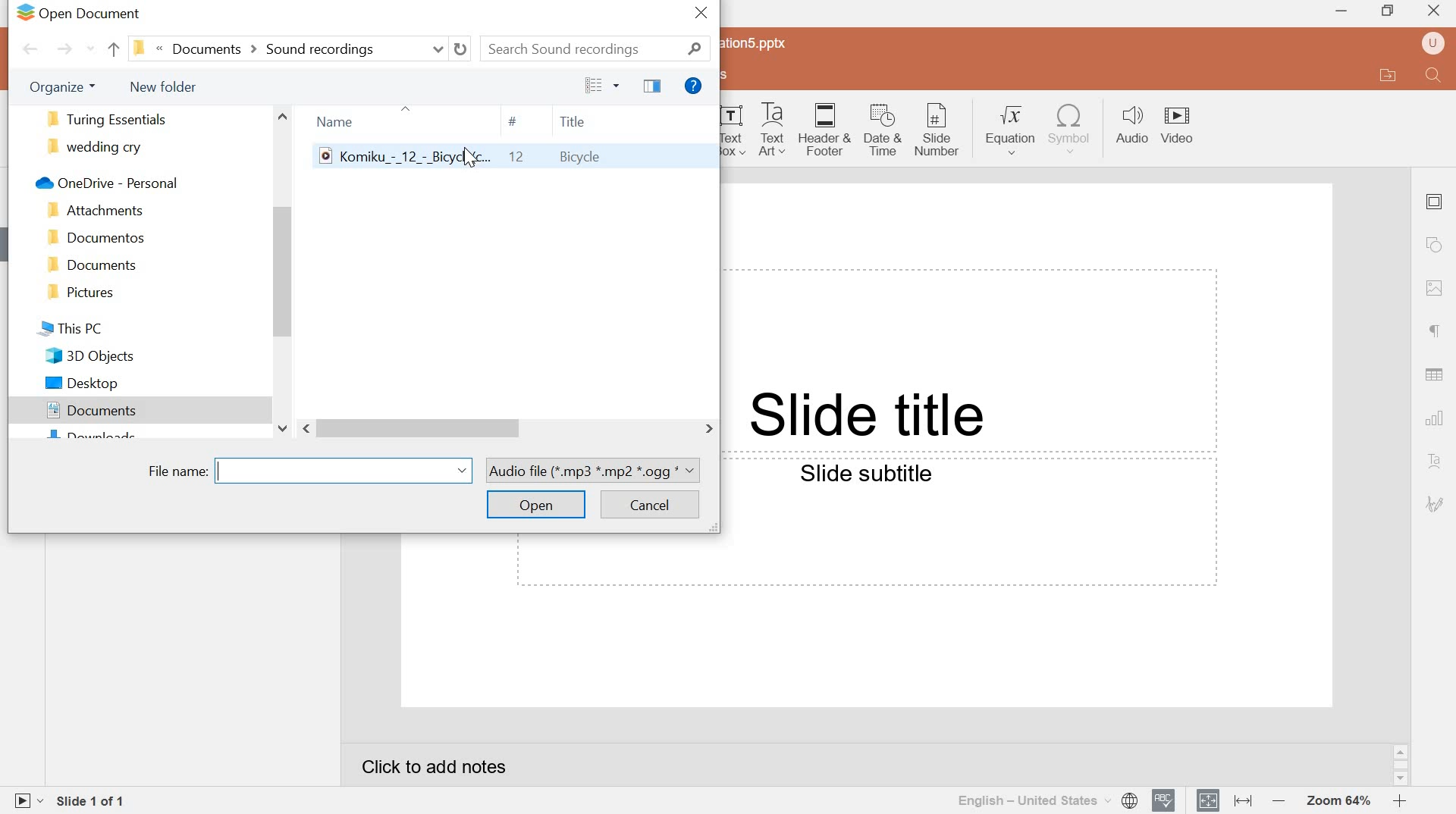 The width and height of the screenshot is (1456, 814). What do you see at coordinates (1435, 13) in the screenshot?
I see `close` at bounding box center [1435, 13].